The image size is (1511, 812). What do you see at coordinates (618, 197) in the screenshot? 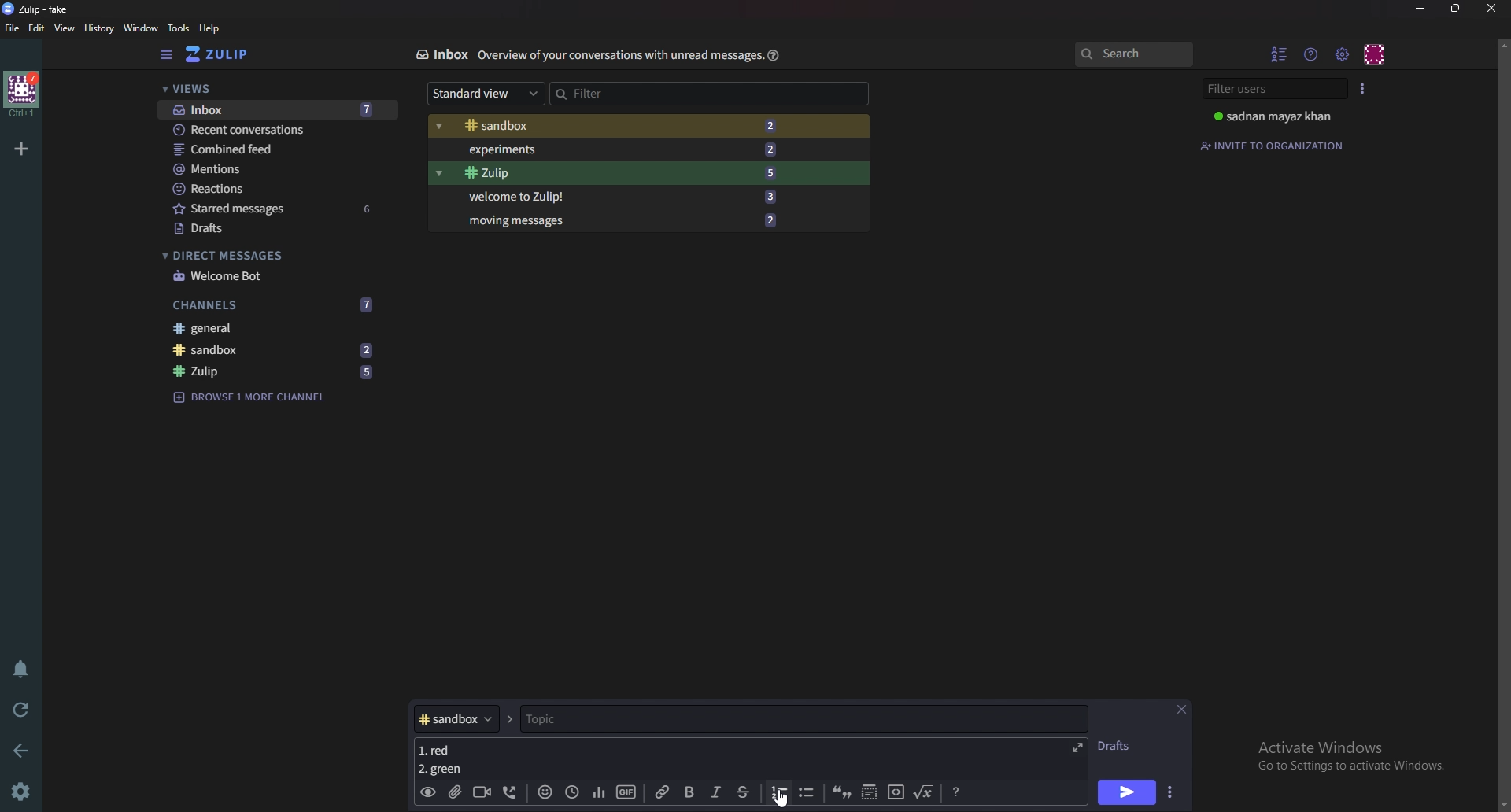
I see `Welcome to Zulip` at bounding box center [618, 197].